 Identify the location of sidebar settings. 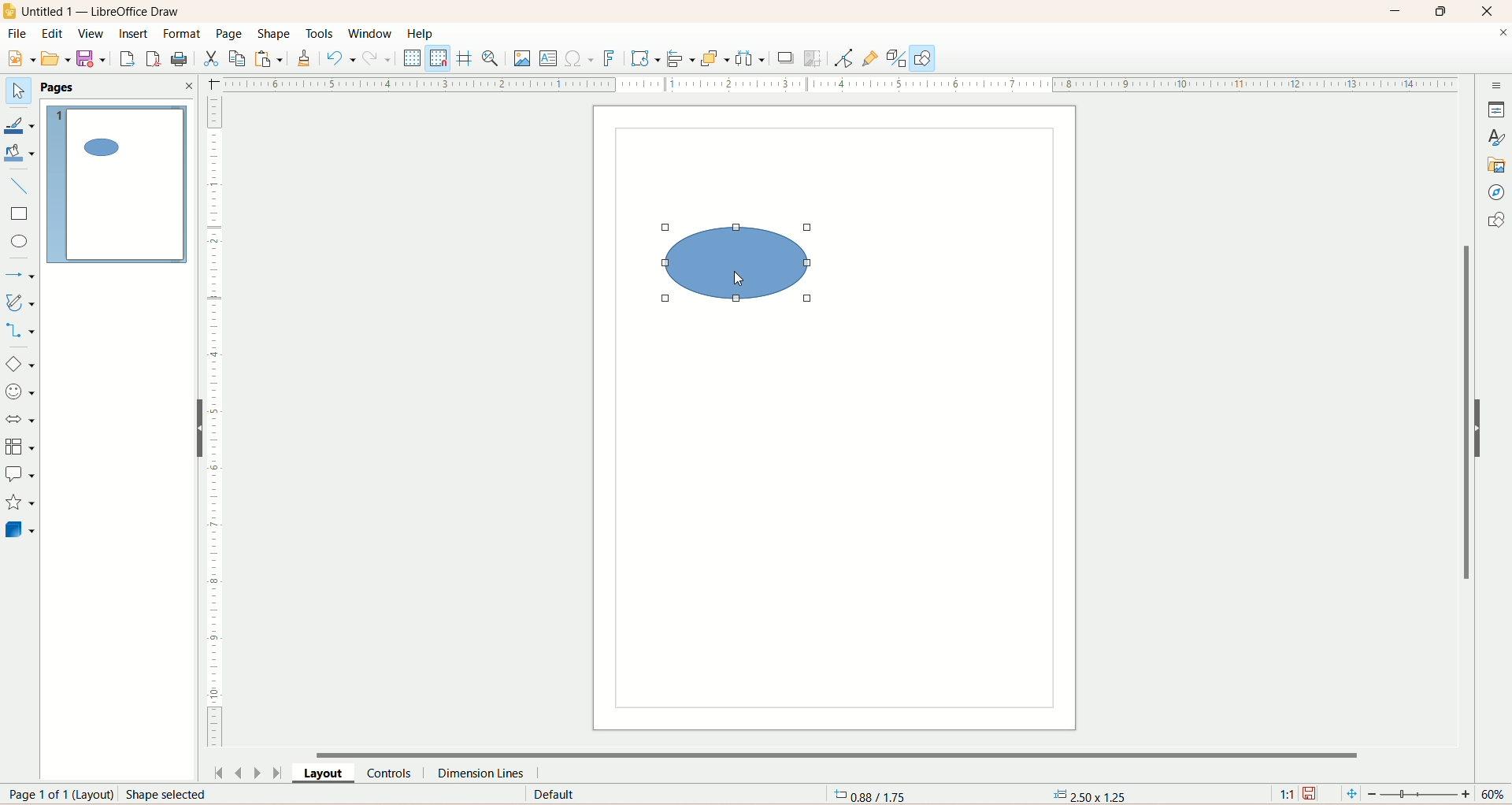
(1497, 87).